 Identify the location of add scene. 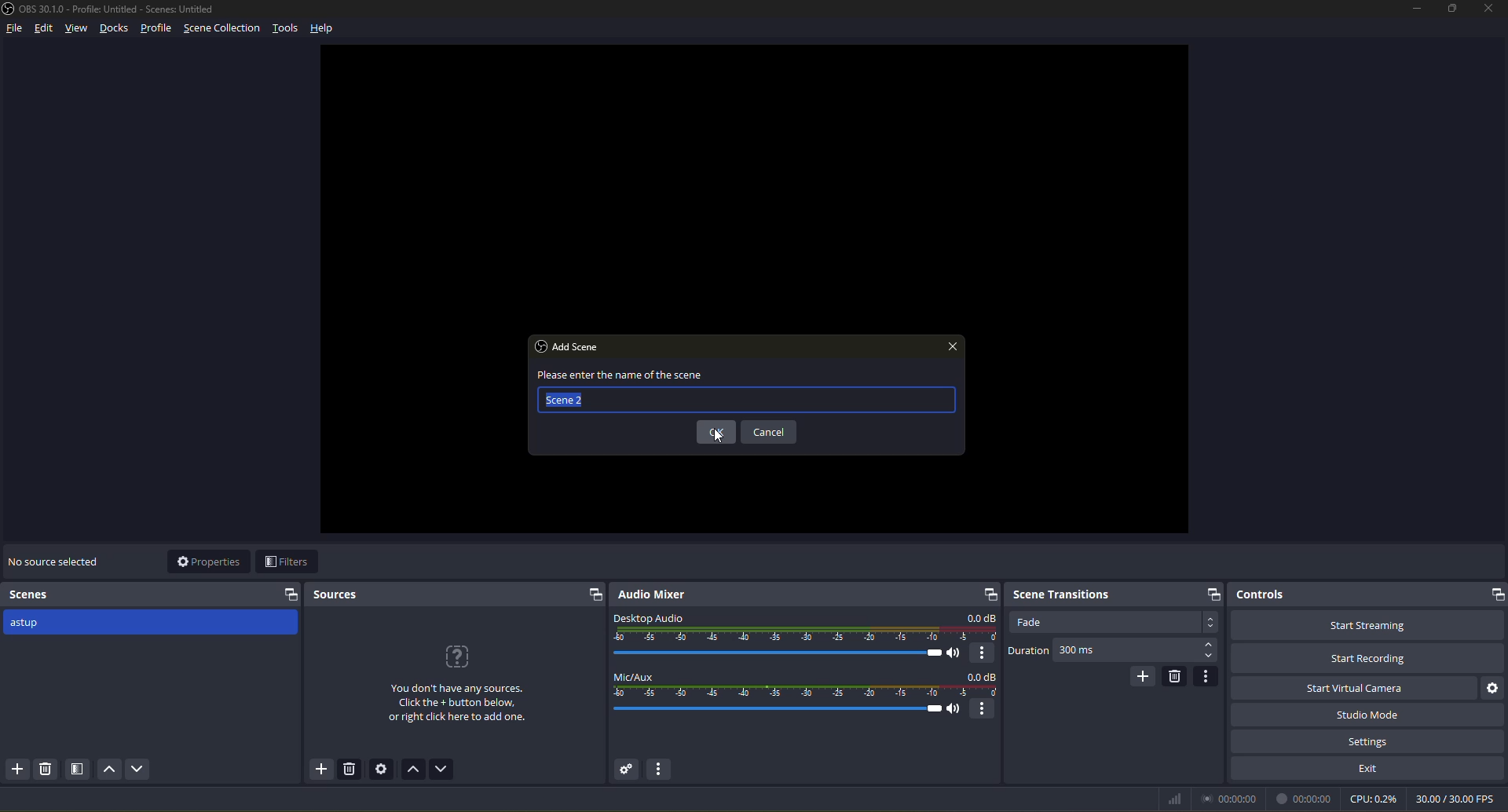
(577, 346).